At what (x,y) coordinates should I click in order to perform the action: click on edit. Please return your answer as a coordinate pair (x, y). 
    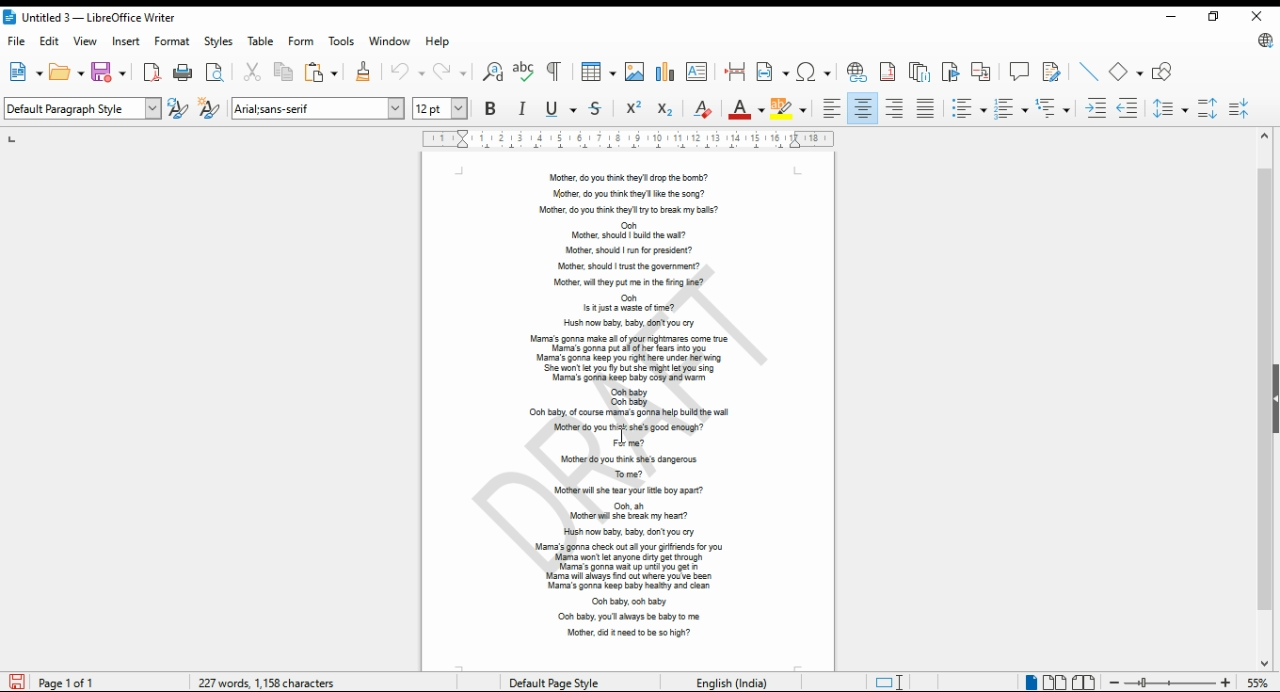
    Looking at the image, I should click on (51, 43).